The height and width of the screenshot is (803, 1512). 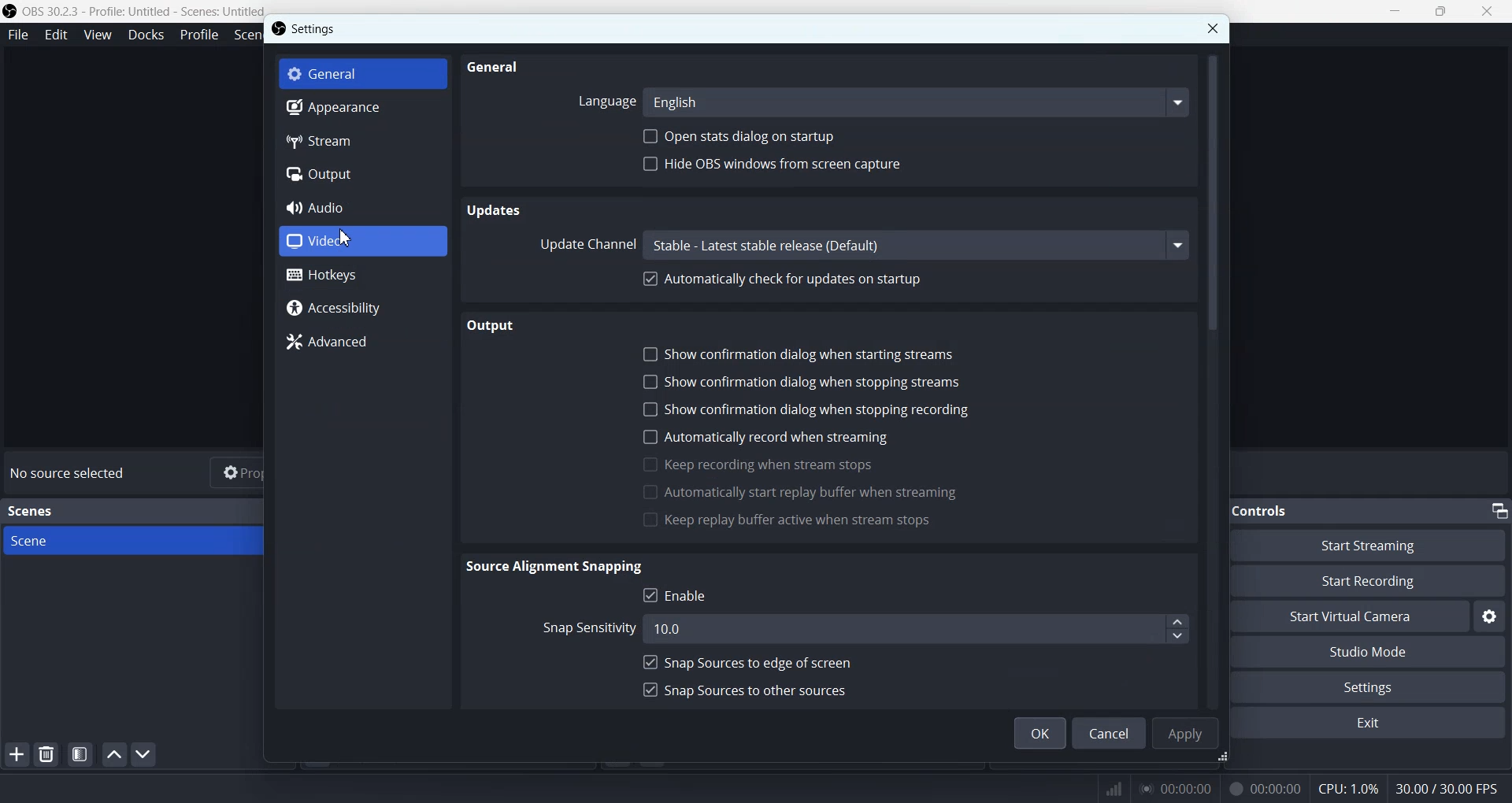 What do you see at coordinates (1374, 724) in the screenshot?
I see `Exit` at bounding box center [1374, 724].